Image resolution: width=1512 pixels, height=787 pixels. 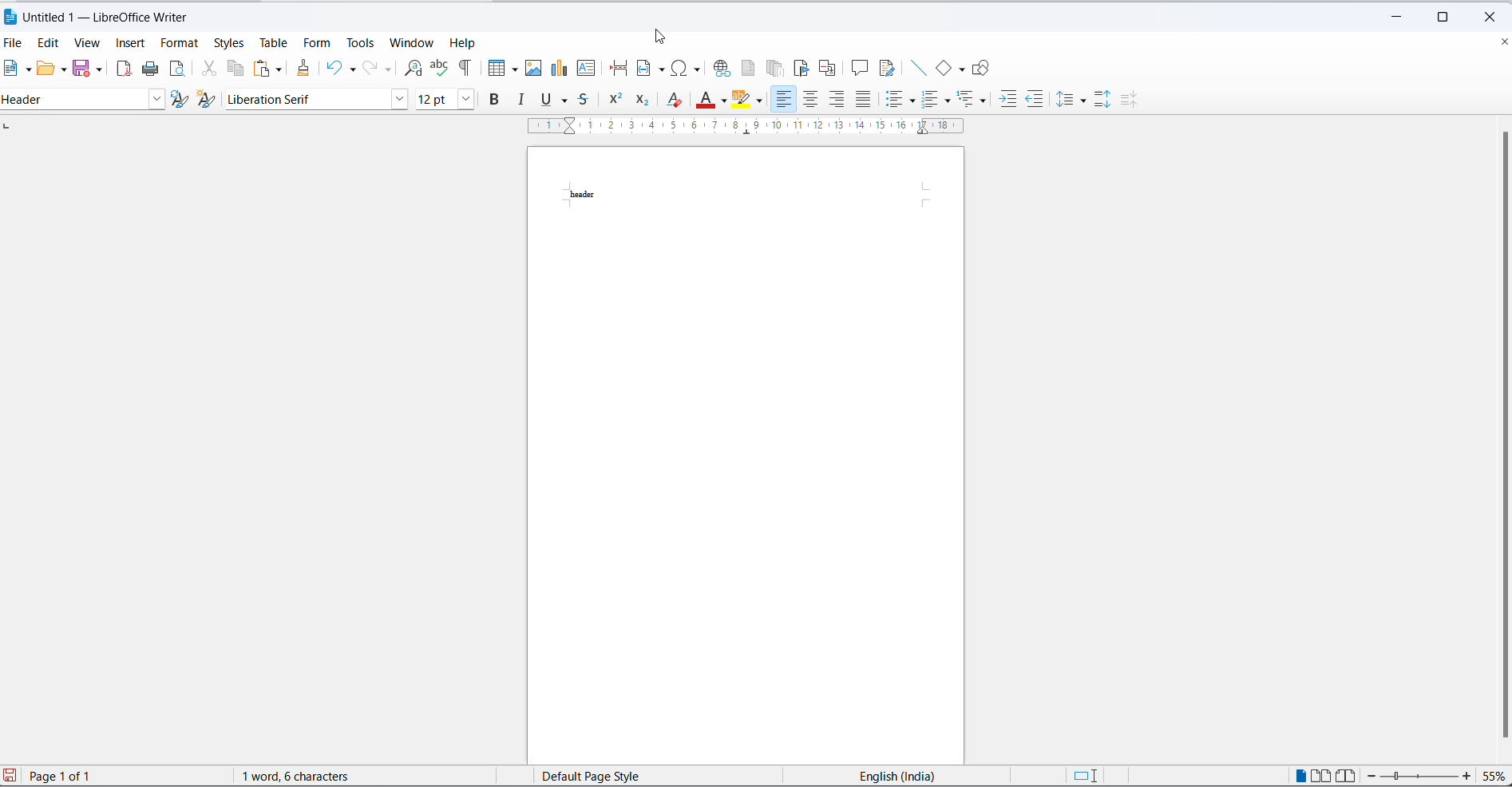 I want to click on show track changes functions, so click(x=888, y=69).